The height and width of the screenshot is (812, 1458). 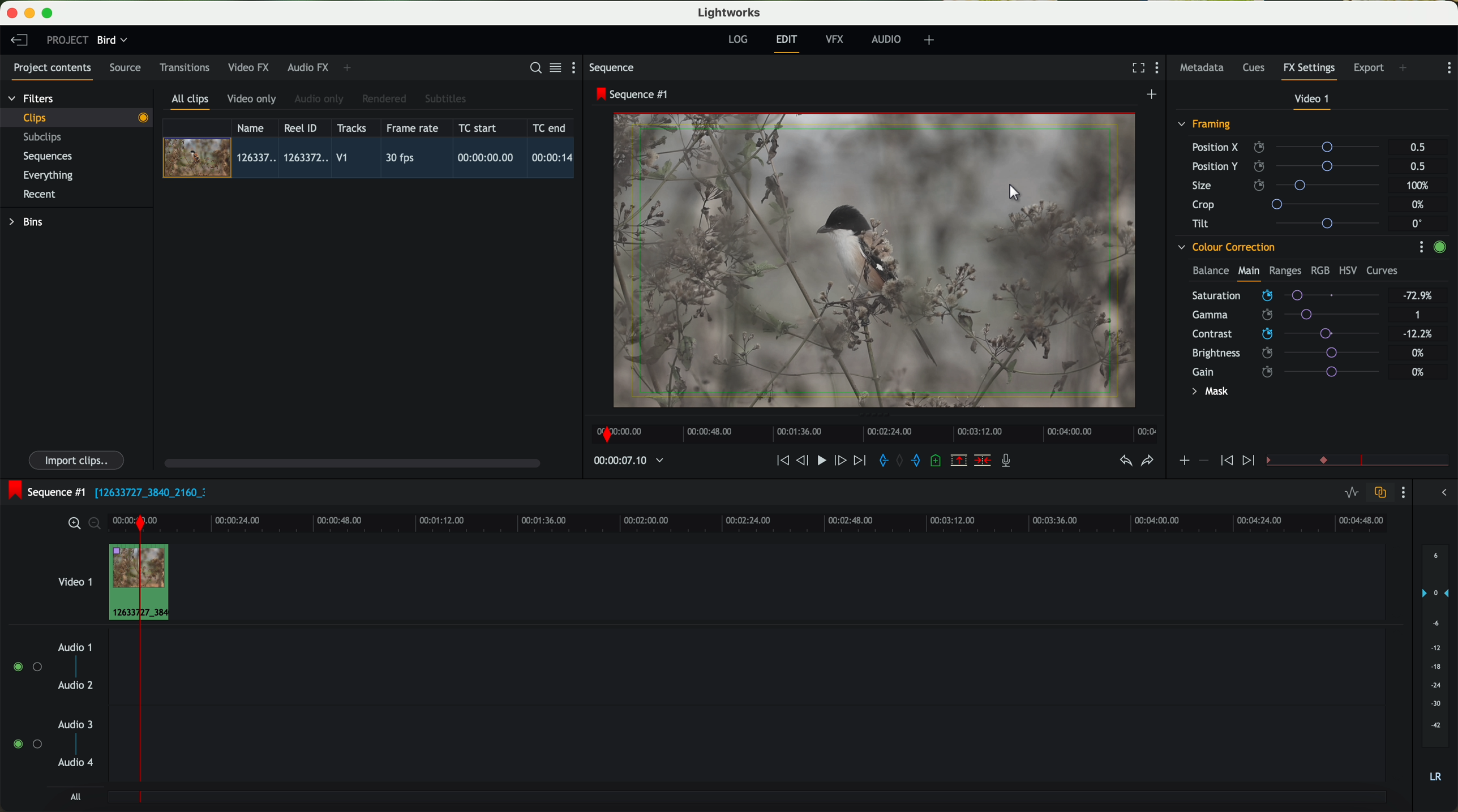 What do you see at coordinates (166, 583) in the screenshot?
I see `drag video to video track 1` at bounding box center [166, 583].